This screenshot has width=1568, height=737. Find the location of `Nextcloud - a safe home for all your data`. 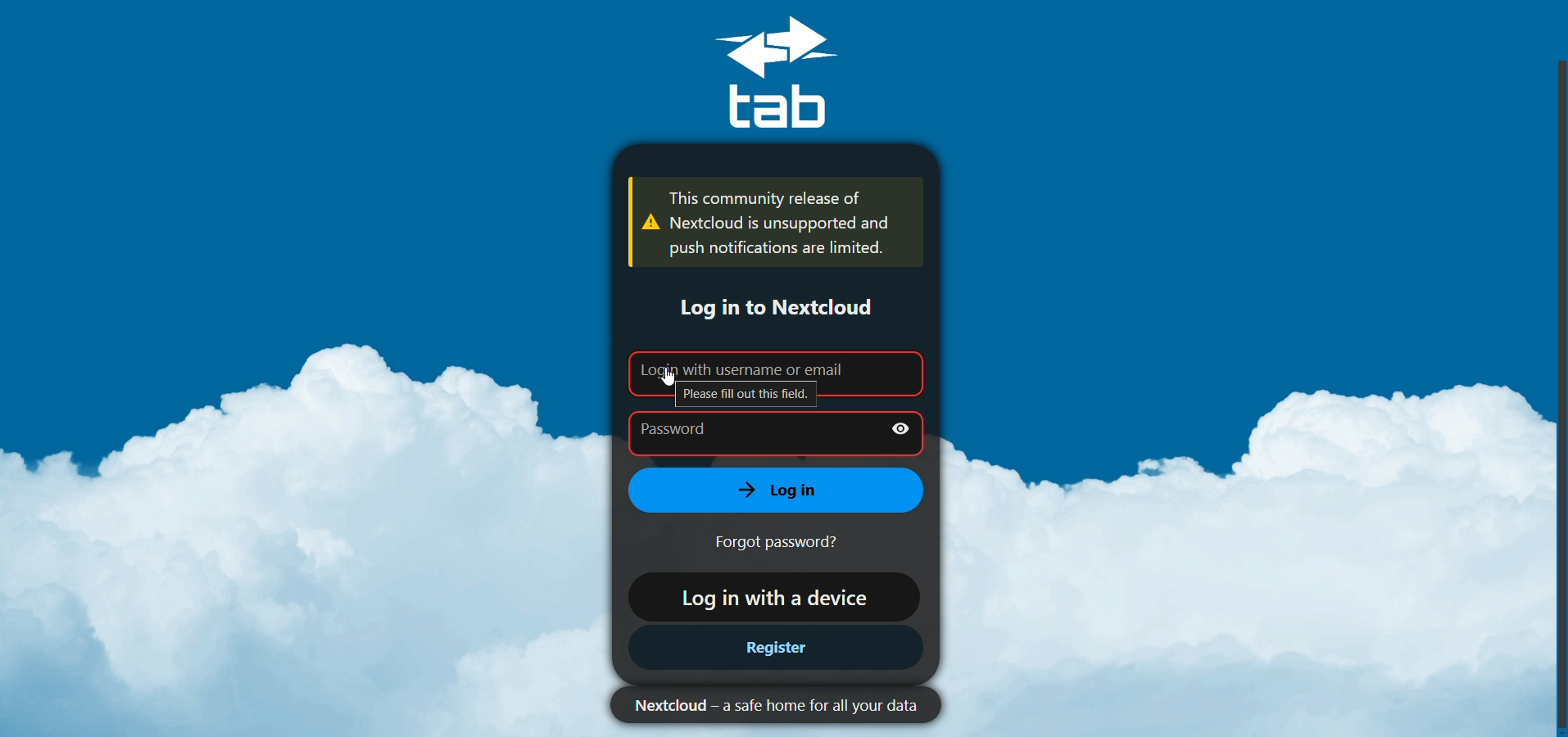

Nextcloud - a safe home for all your data is located at coordinates (773, 708).